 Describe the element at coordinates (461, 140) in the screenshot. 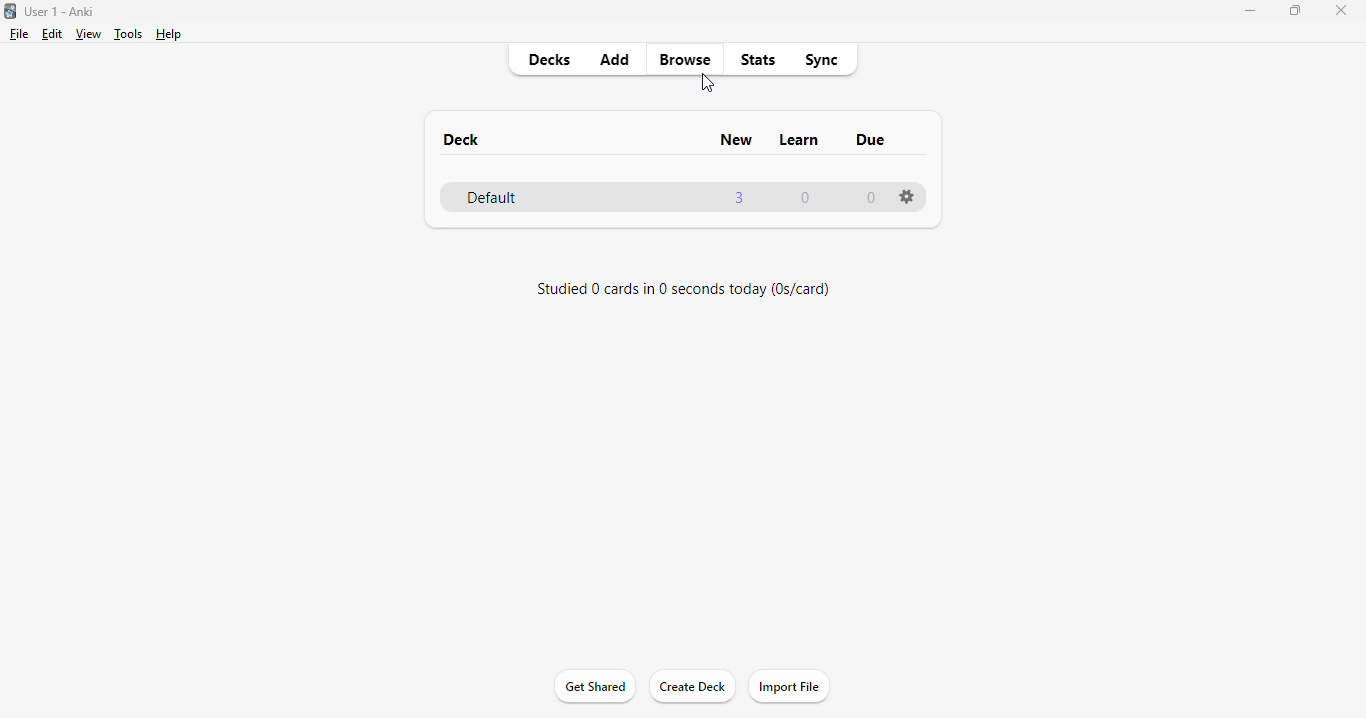

I see `deck` at that location.